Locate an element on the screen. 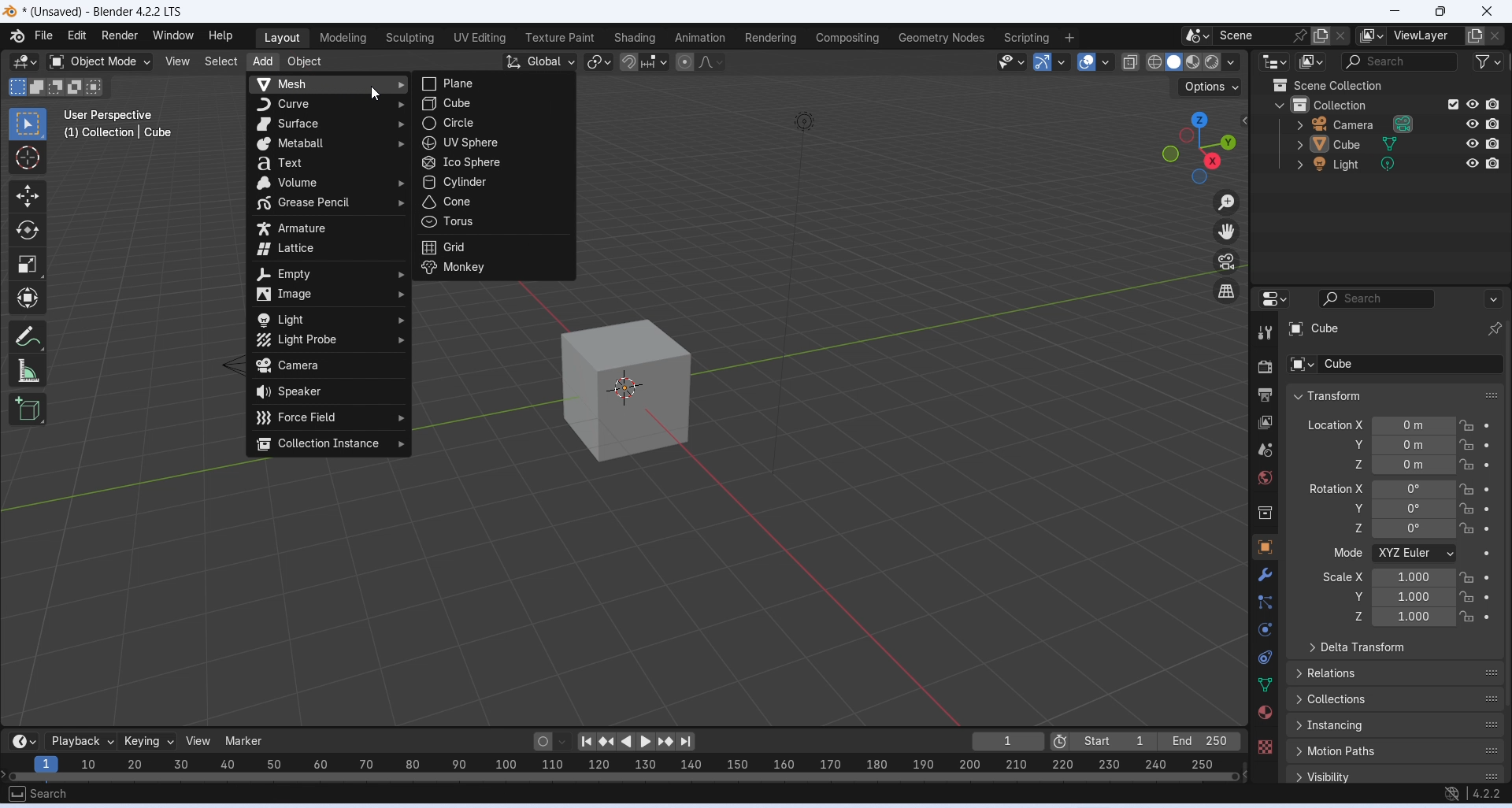 The height and width of the screenshot is (808, 1512). auto edit is located at coordinates (552, 740).